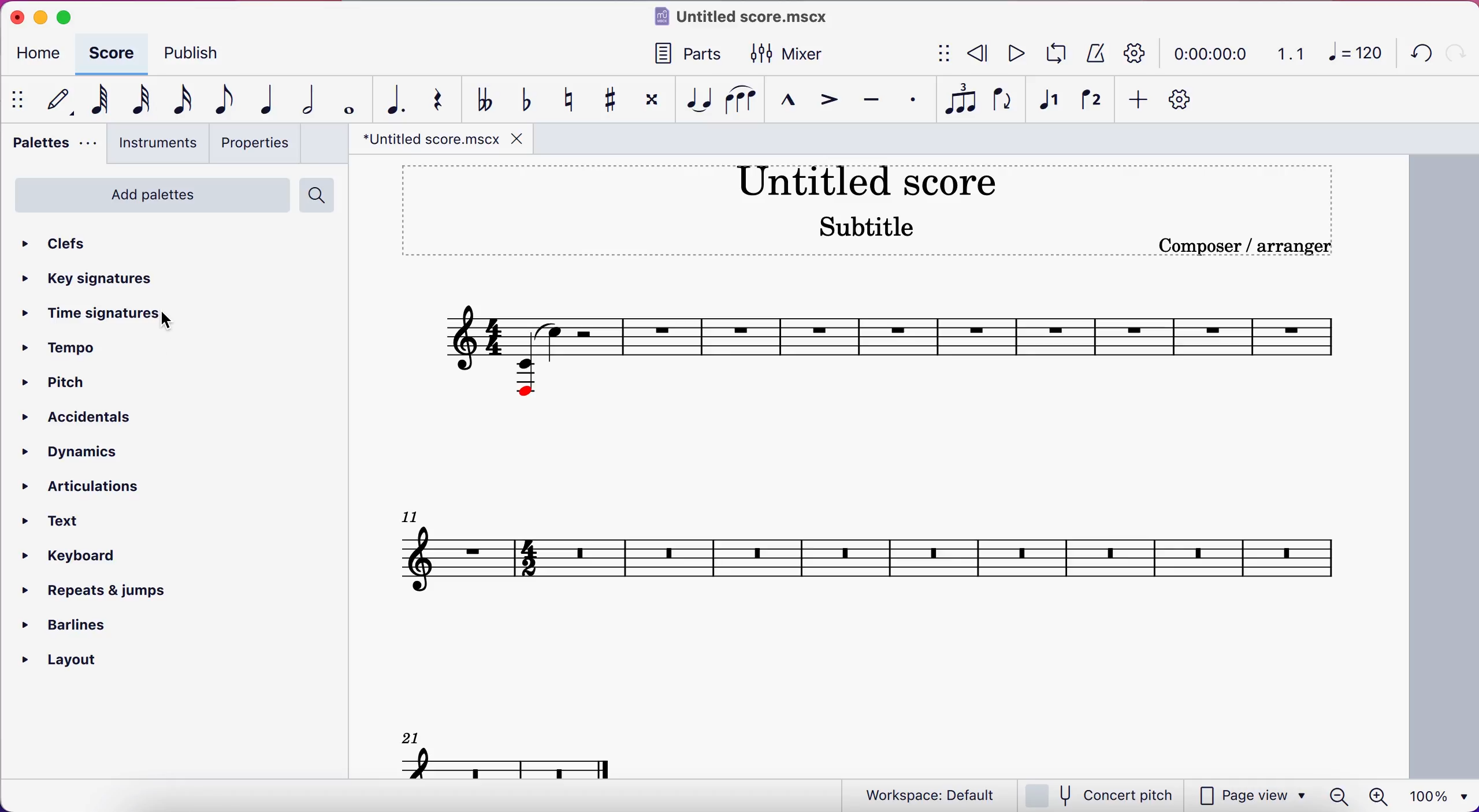  What do you see at coordinates (257, 143) in the screenshot?
I see `properties` at bounding box center [257, 143].